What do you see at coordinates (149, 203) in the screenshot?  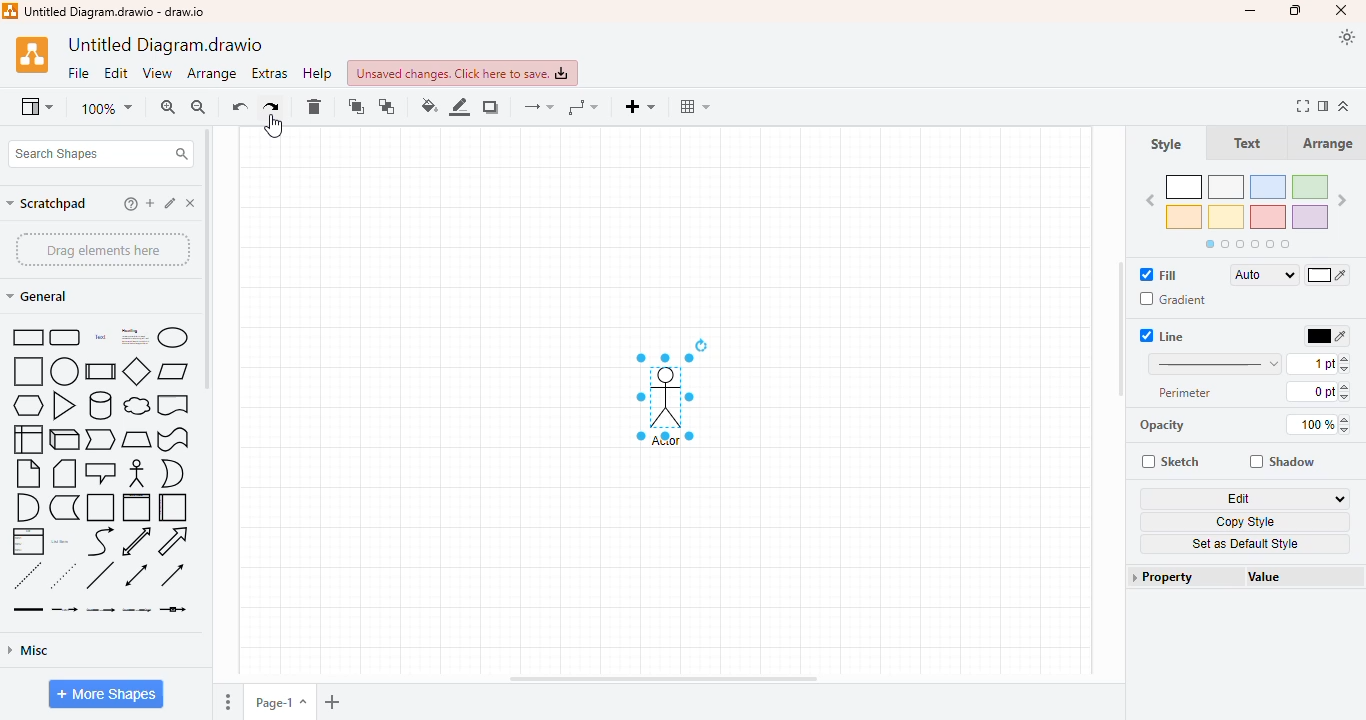 I see `add` at bounding box center [149, 203].